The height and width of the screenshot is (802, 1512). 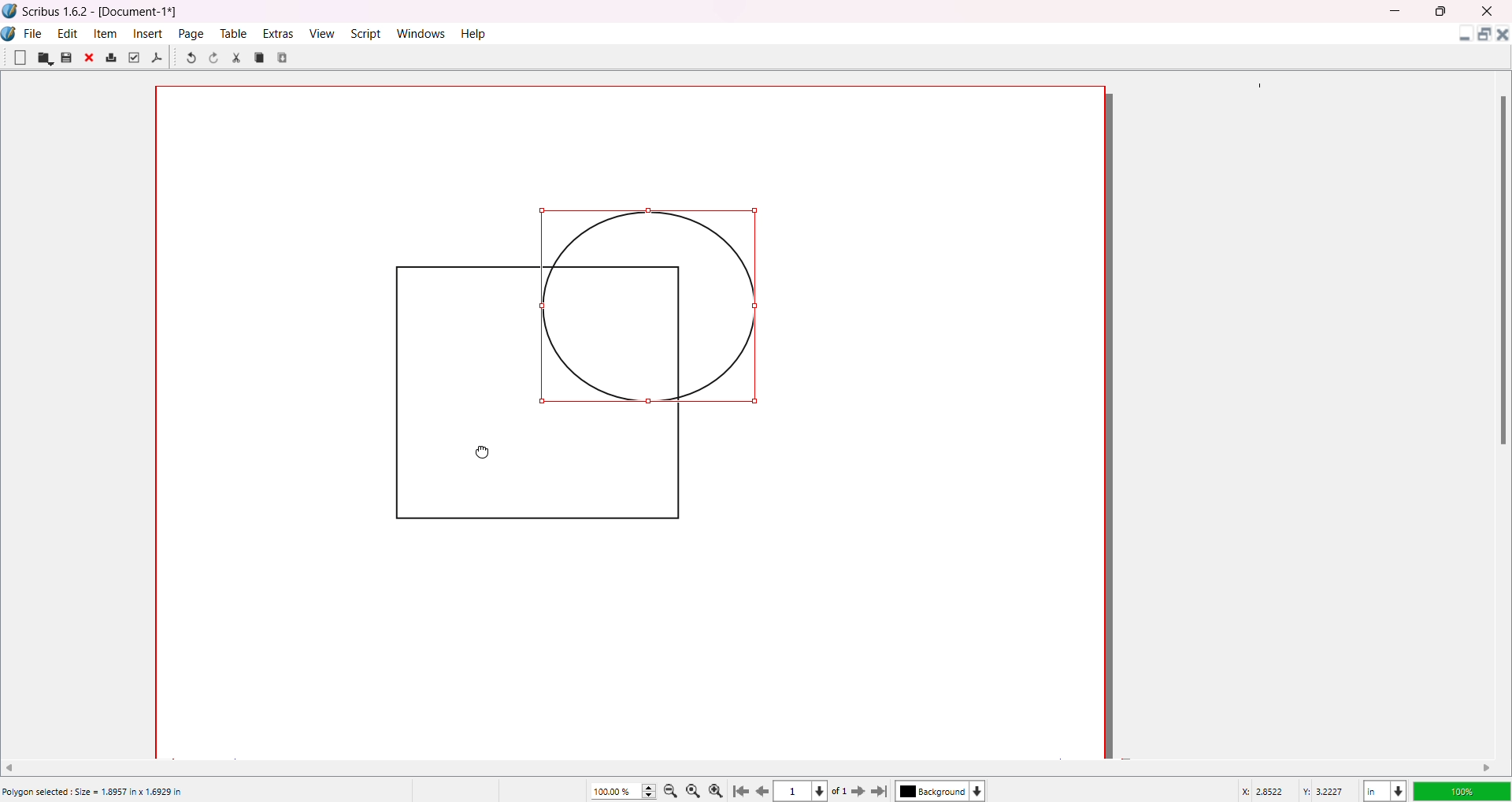 What do you see at coordinates (279, 33) in the screenshot?
I see `Extras` at bounding box center [279, 33].